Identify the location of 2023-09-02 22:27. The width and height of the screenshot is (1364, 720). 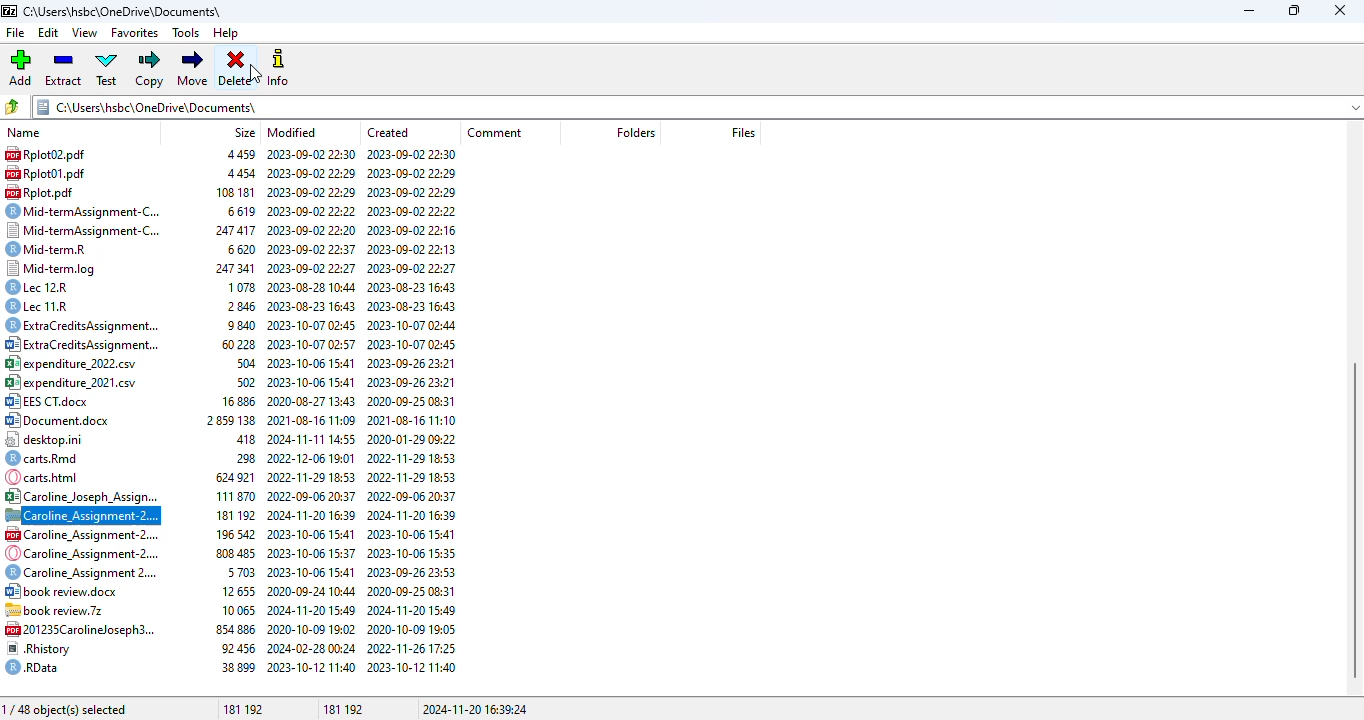
(415, 268).